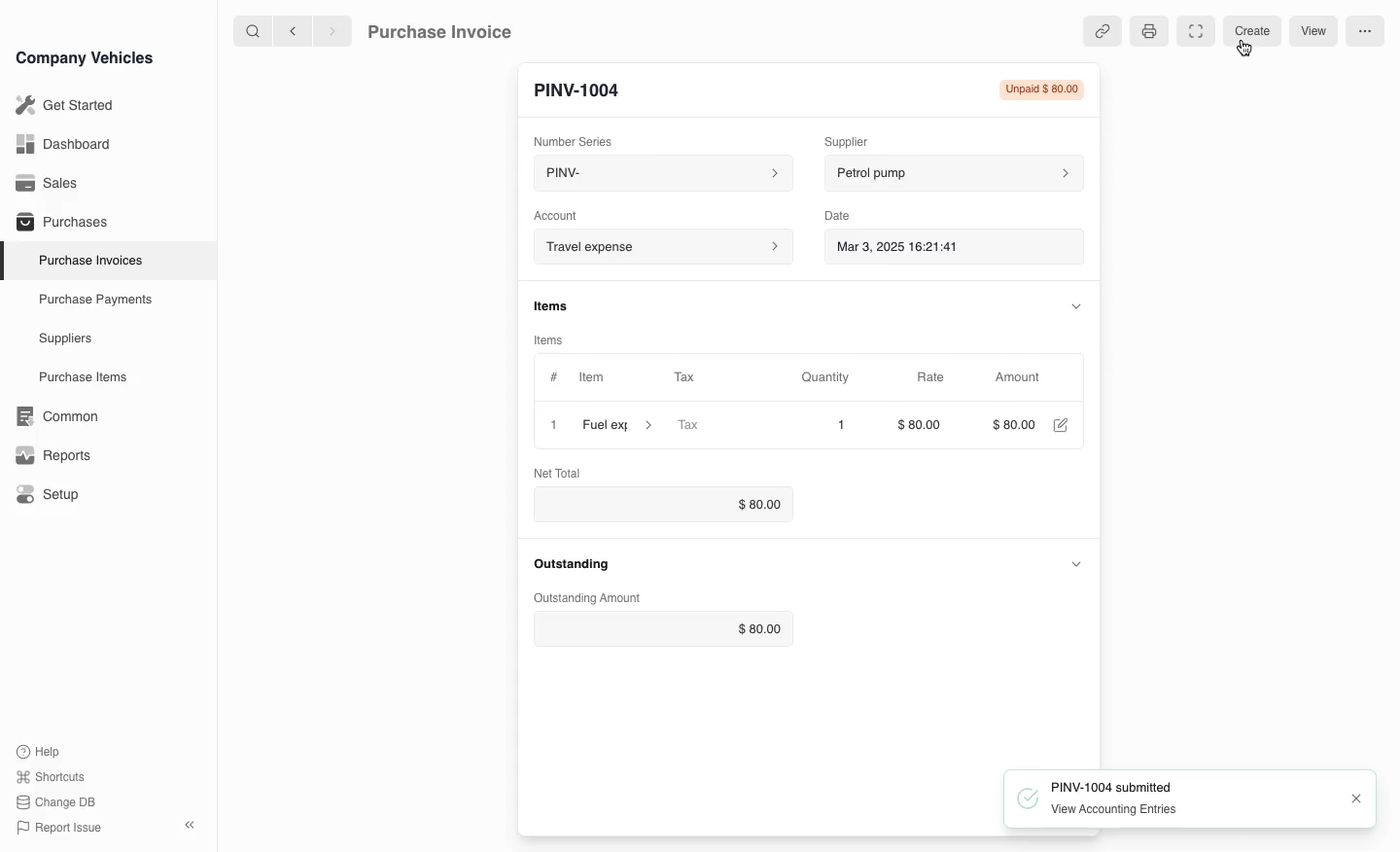  I want to click on Purchases, so click(57, 224).